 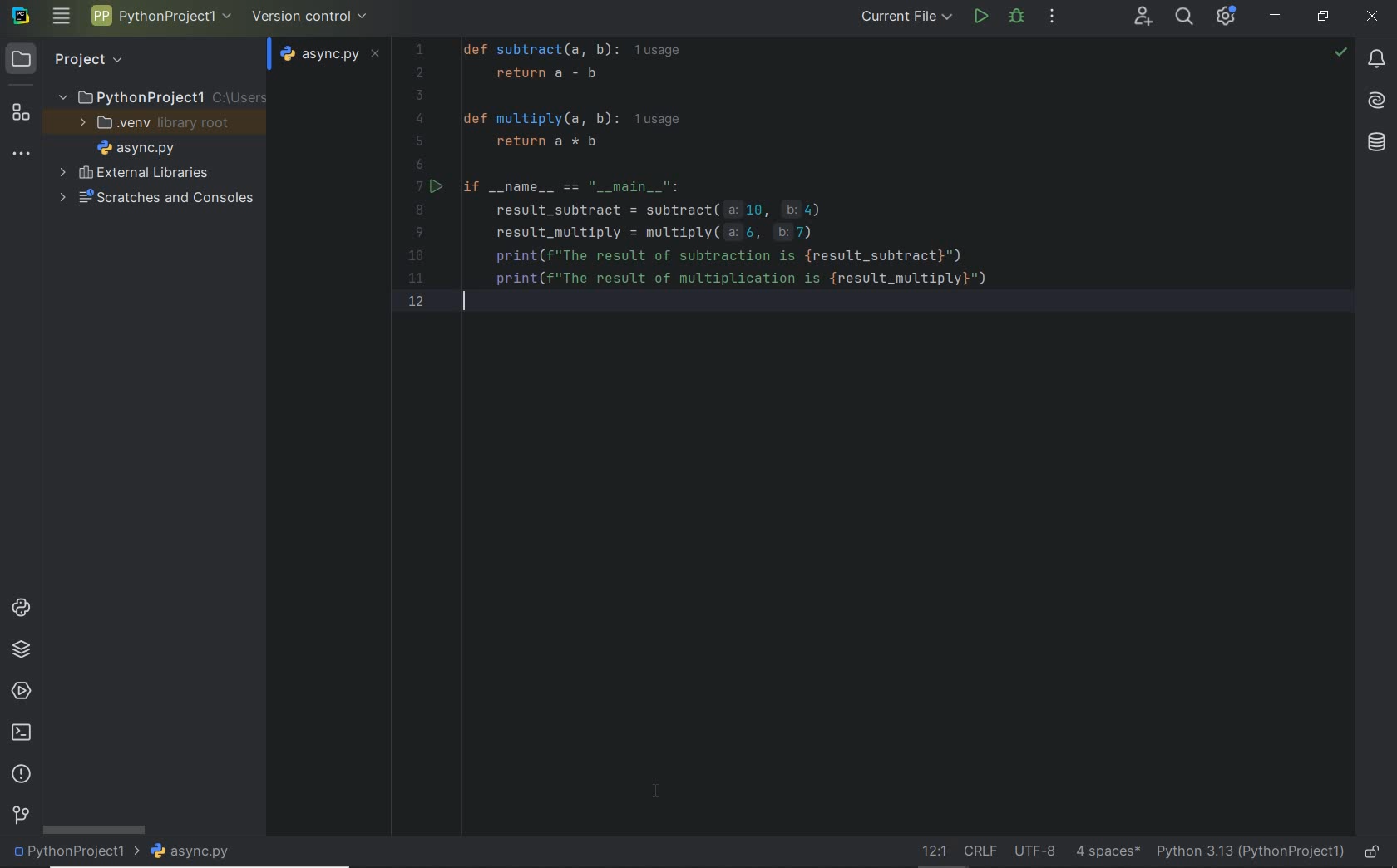 What do you see at coordinates (63, 16) in the screenshot?
I see `main menu` at bounding box center [63, 16].